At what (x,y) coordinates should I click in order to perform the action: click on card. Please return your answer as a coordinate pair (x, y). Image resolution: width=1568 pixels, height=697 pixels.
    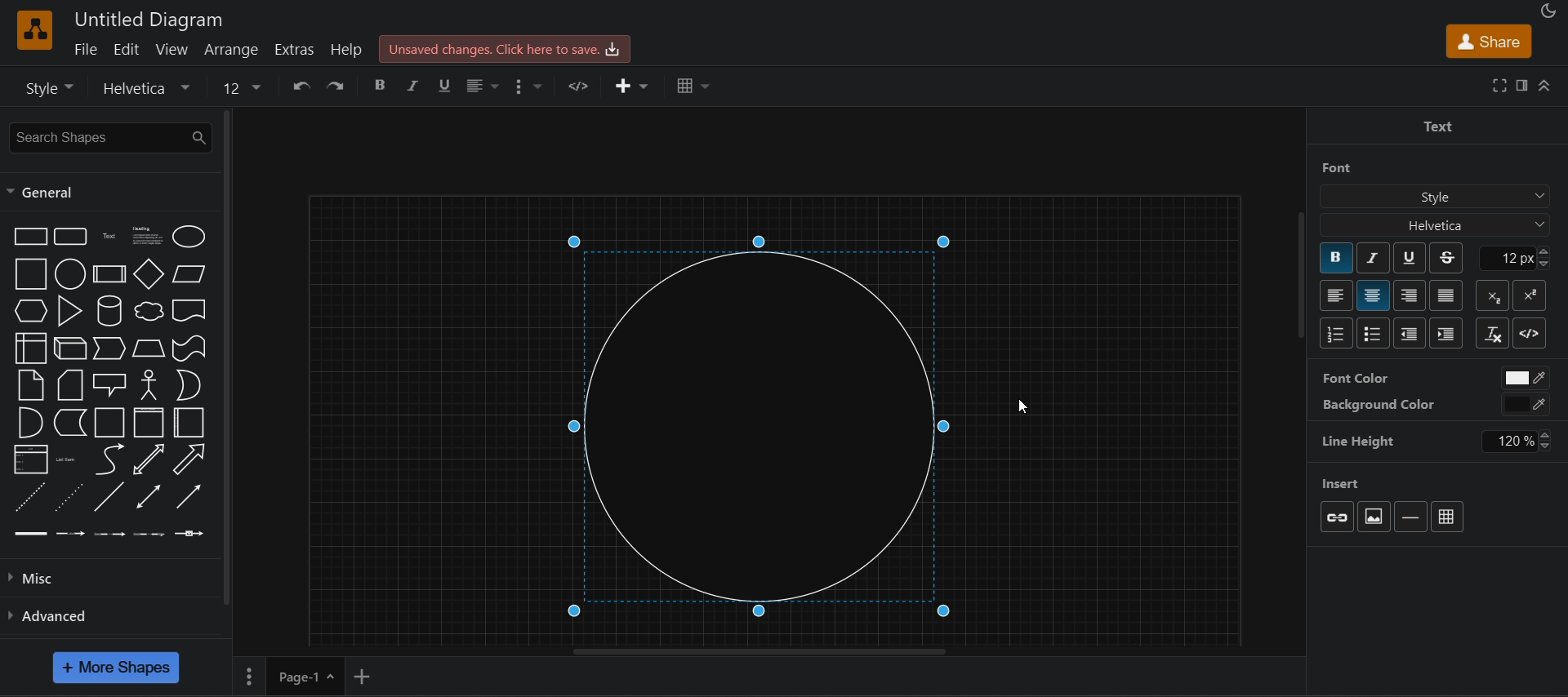
    Looking at the image, I should click on (69, 386).